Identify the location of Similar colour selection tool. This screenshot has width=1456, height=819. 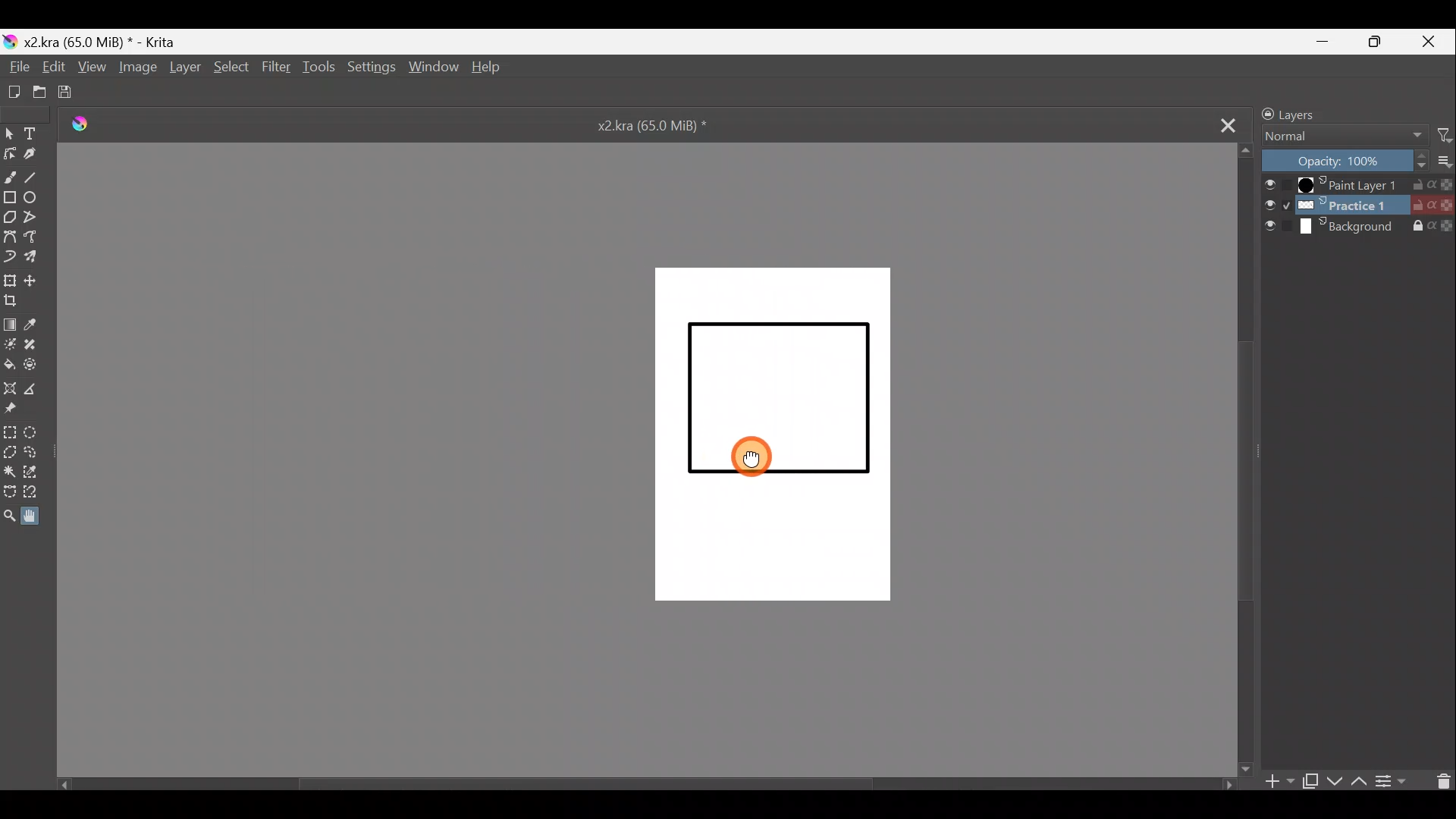
(34, 475).